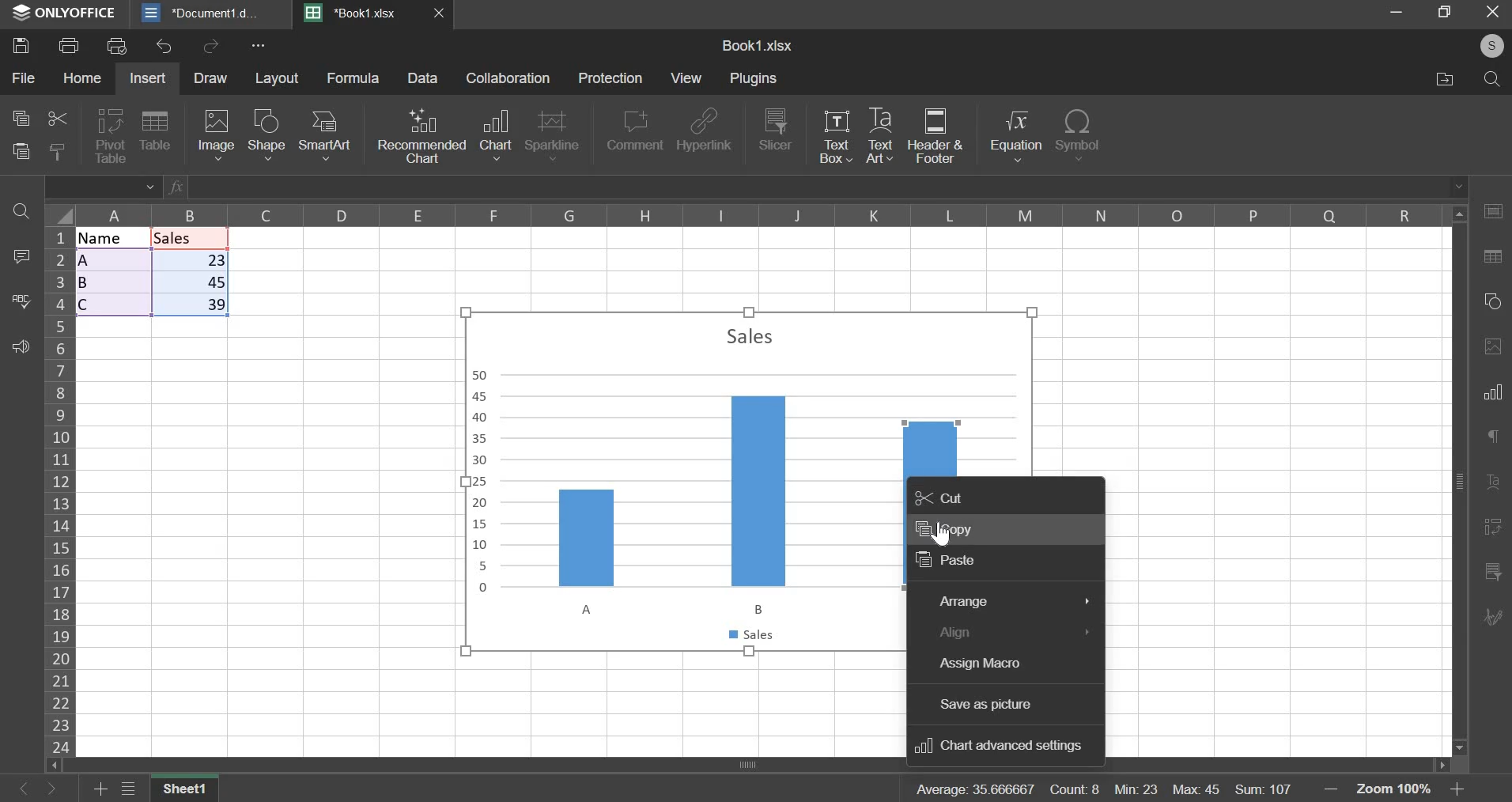  Describe the element at coordinates (82, 78) in the screenshot. I see `home` at that location.